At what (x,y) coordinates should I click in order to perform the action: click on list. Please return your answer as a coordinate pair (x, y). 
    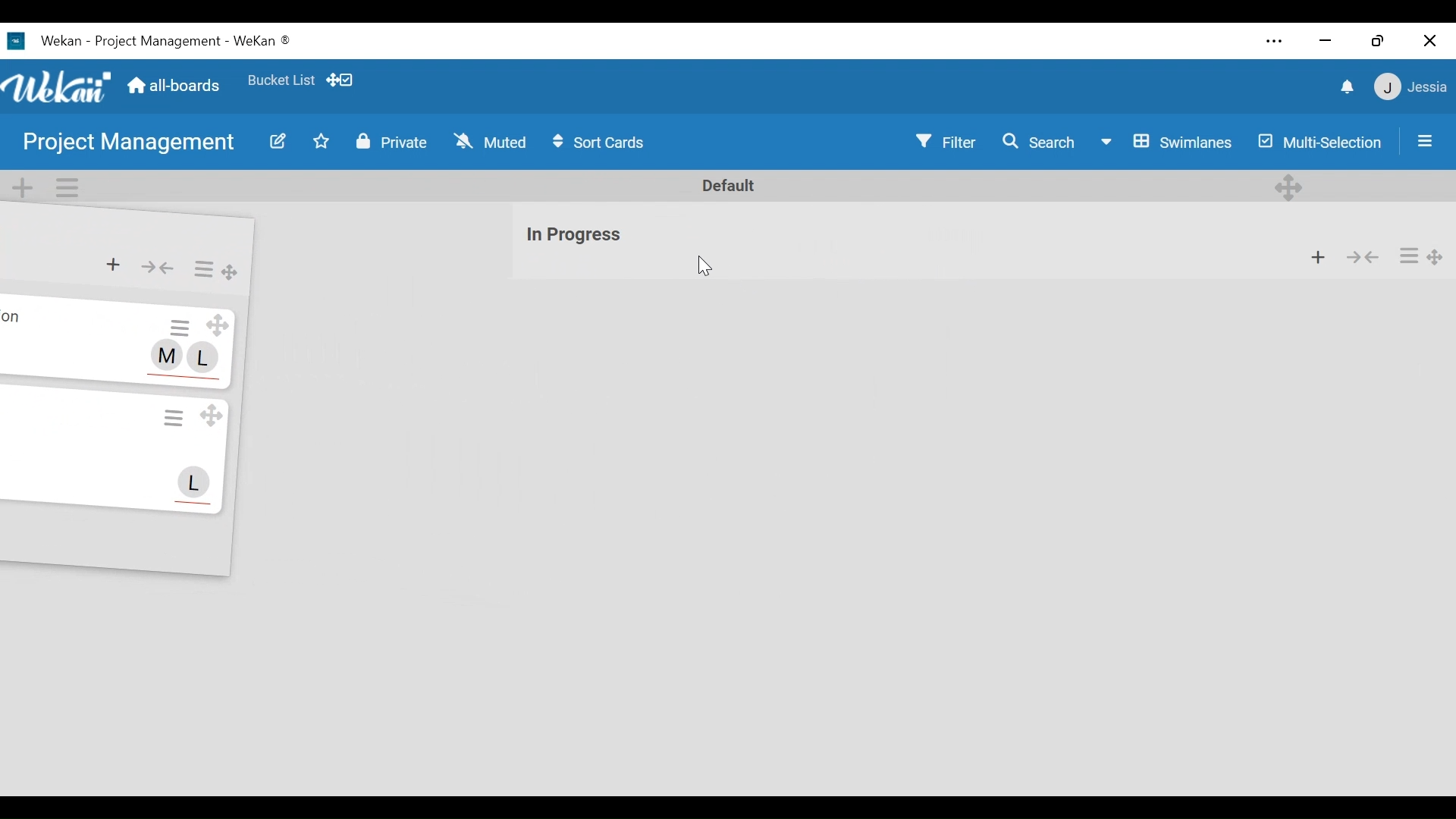
    Looking at the image, I should click on (48, 253).